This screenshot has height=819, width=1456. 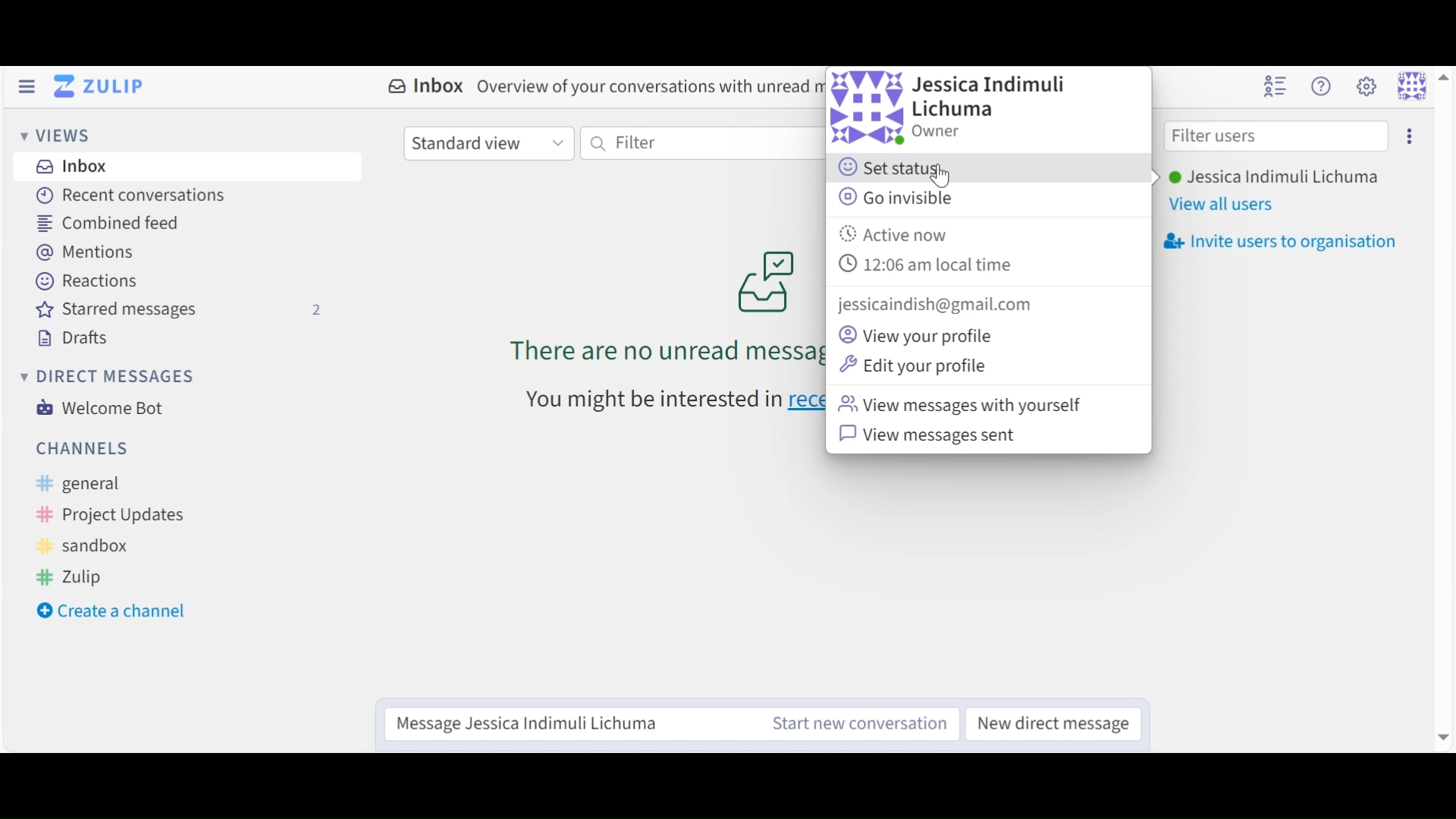 What do you see at coordinates (89, 485) in the screenshot?
I see `general` at bounding box center [89, 485].